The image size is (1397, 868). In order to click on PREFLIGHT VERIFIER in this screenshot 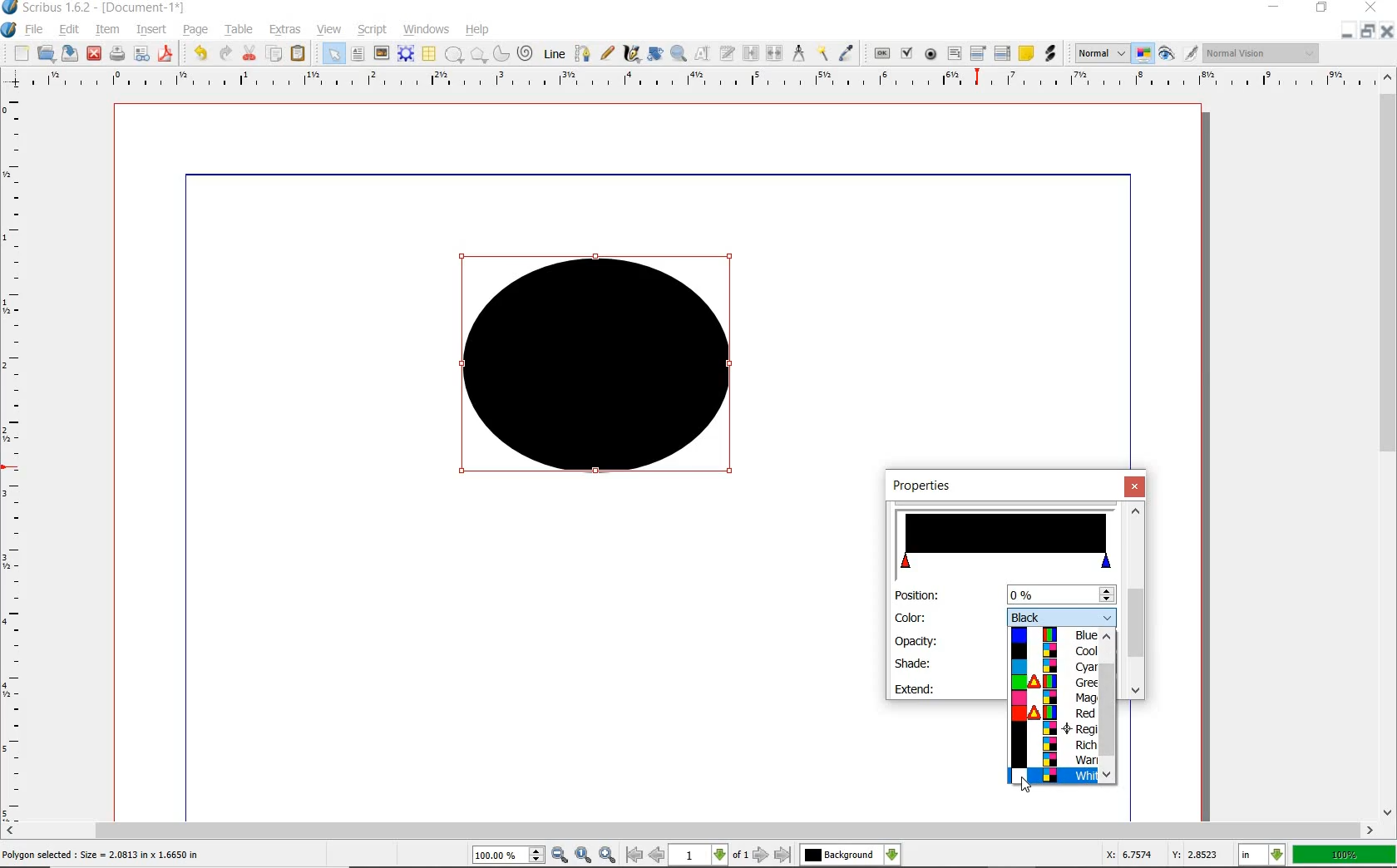, I will do `click(141, 52)`.